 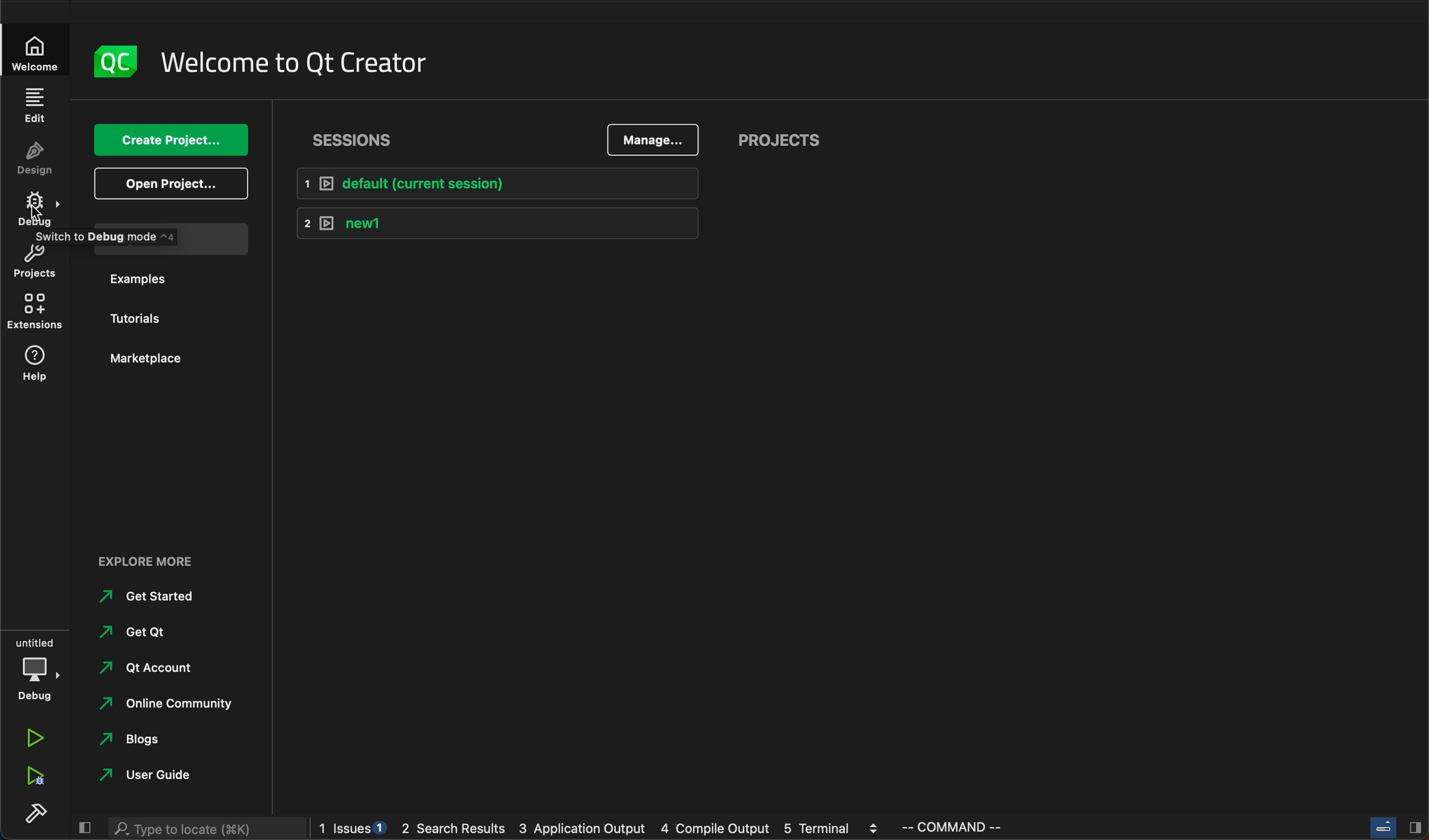 I want to click on compile output, so click(x=713, y=829).